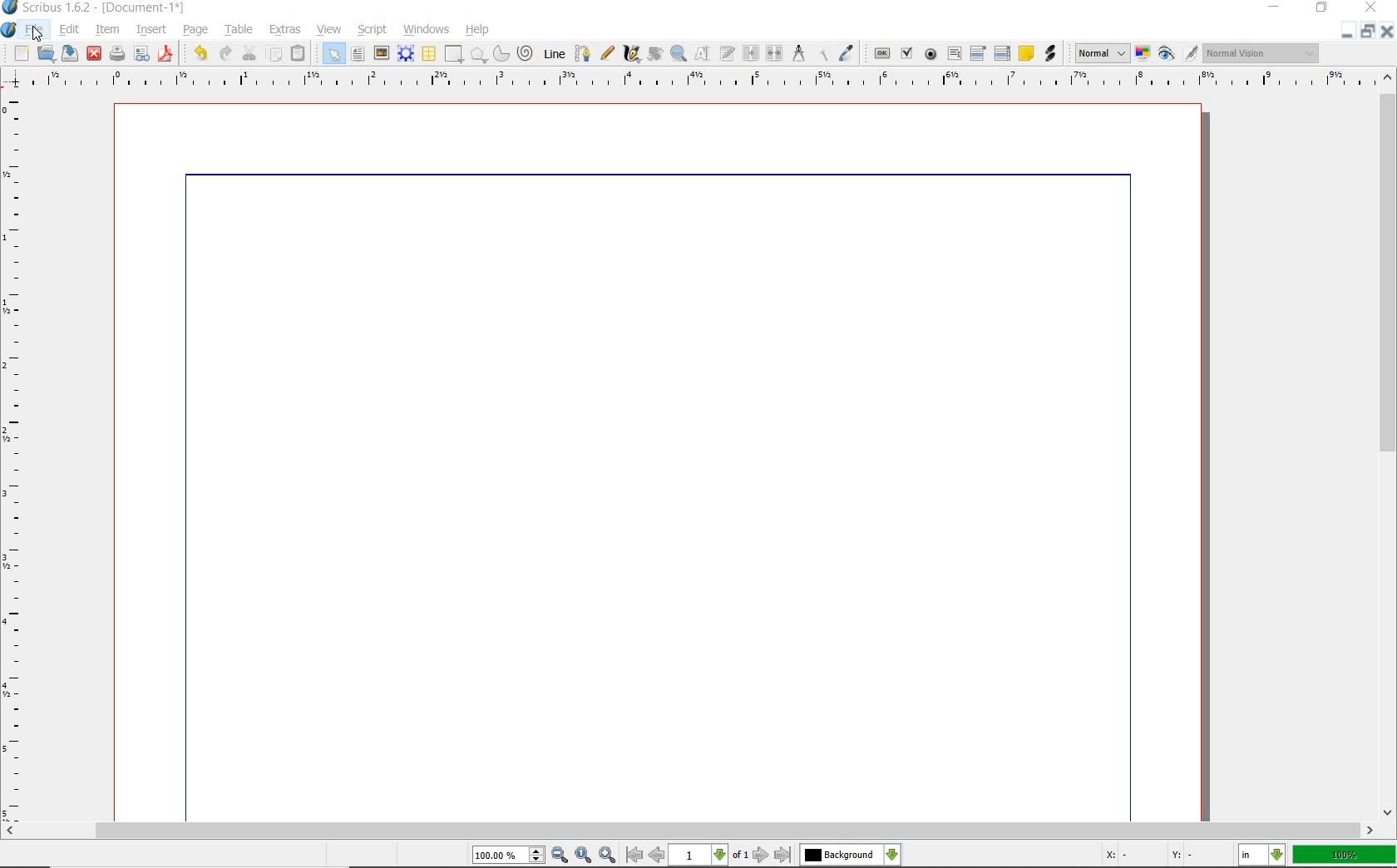 The image size is (1397, 868). What do you see at coordinates (382, 52) in the screenshot?
I see `image frame` at bounding box center [382, 52].